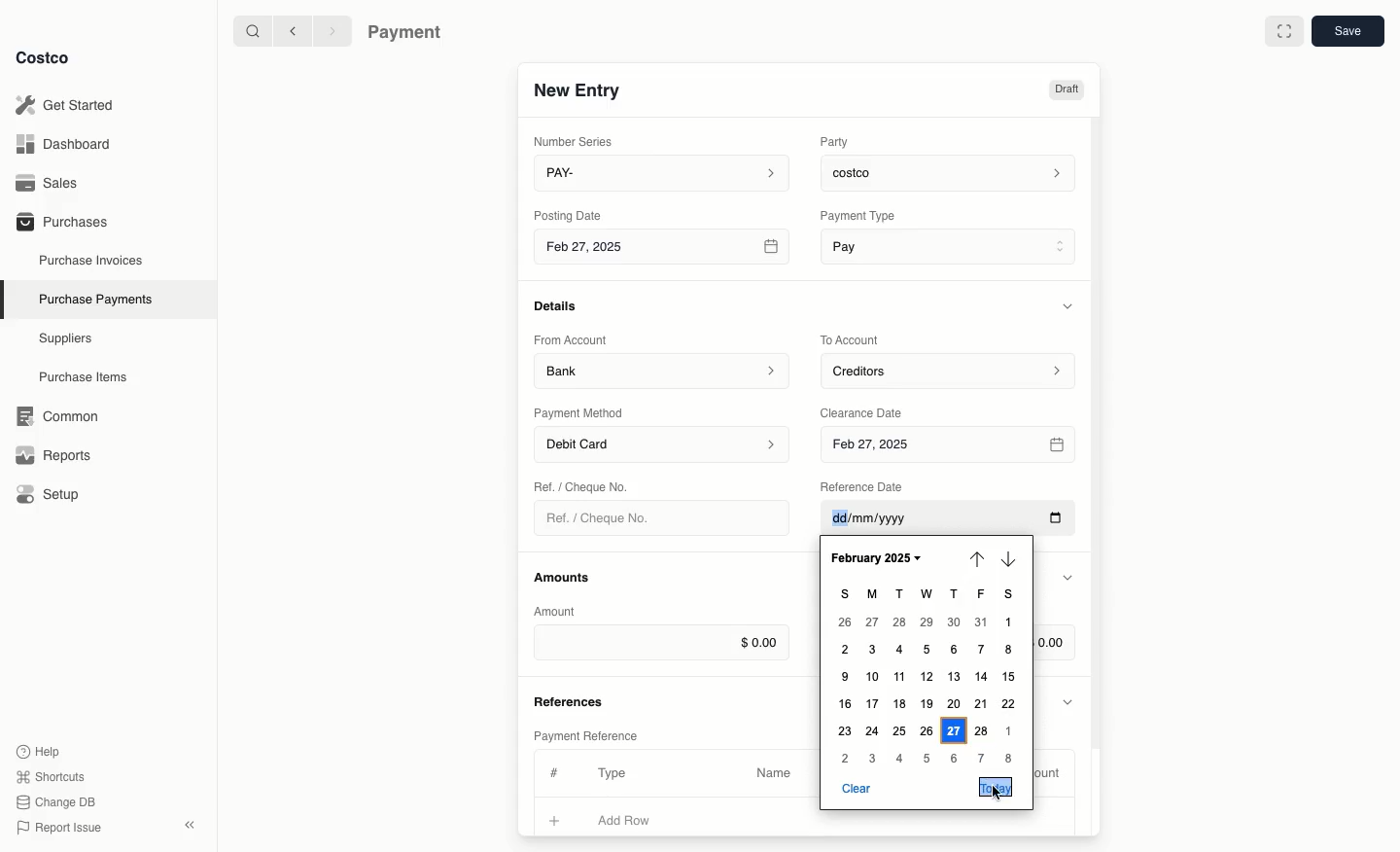 Image resolution: width=1400 pixels, height=852 pixels. I want to click on Help, so click(38, 750).